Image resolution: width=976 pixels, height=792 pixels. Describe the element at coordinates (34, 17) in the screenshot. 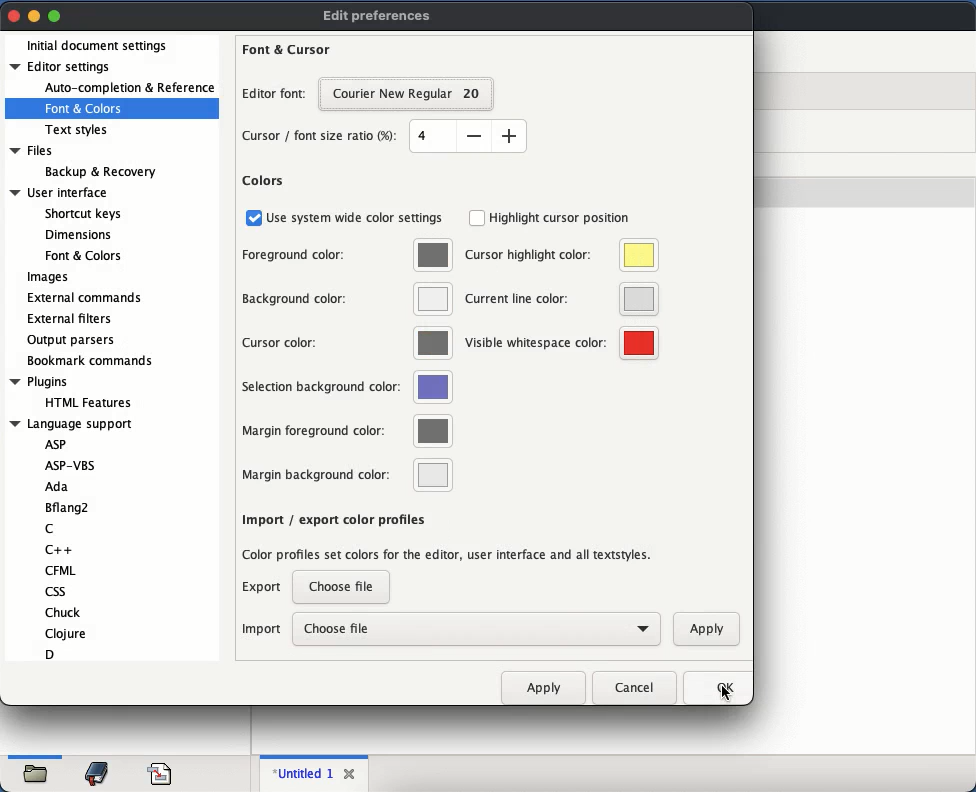

I see `minimize` at that location.